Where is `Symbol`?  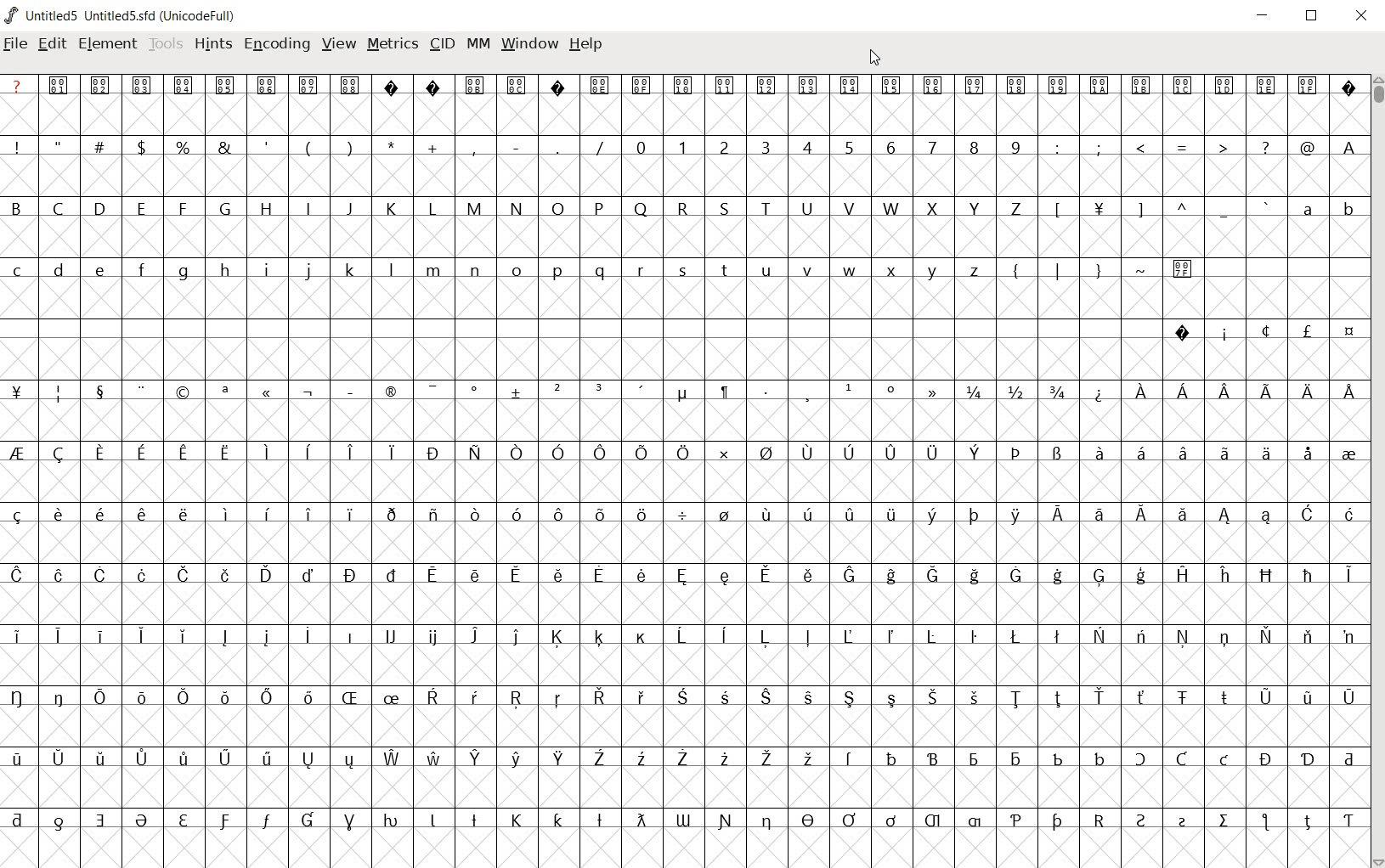 Symbol is located at coordinates (975, 697).